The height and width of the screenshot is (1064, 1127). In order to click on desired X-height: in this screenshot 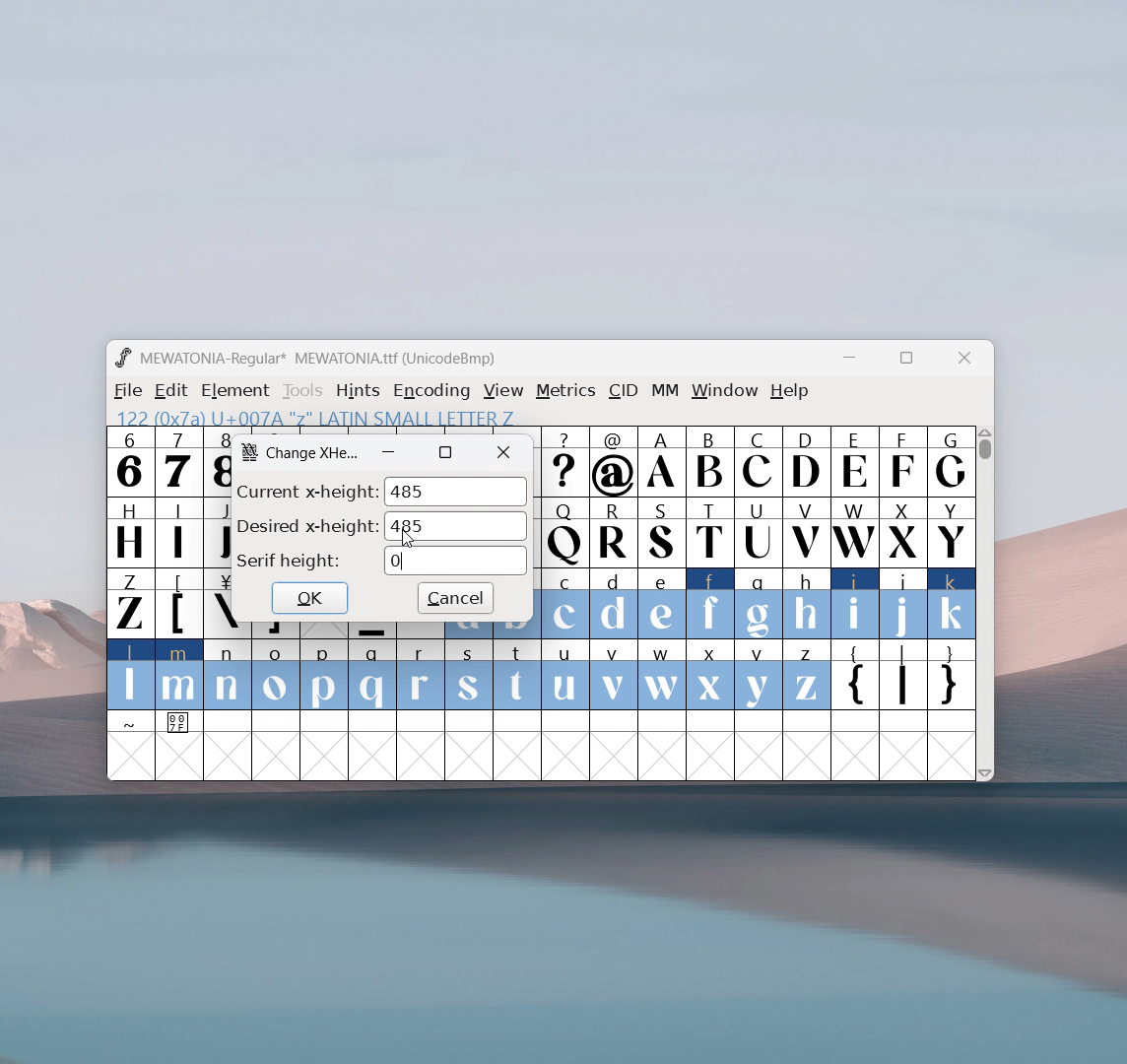, I will do `click(307, 525)`.